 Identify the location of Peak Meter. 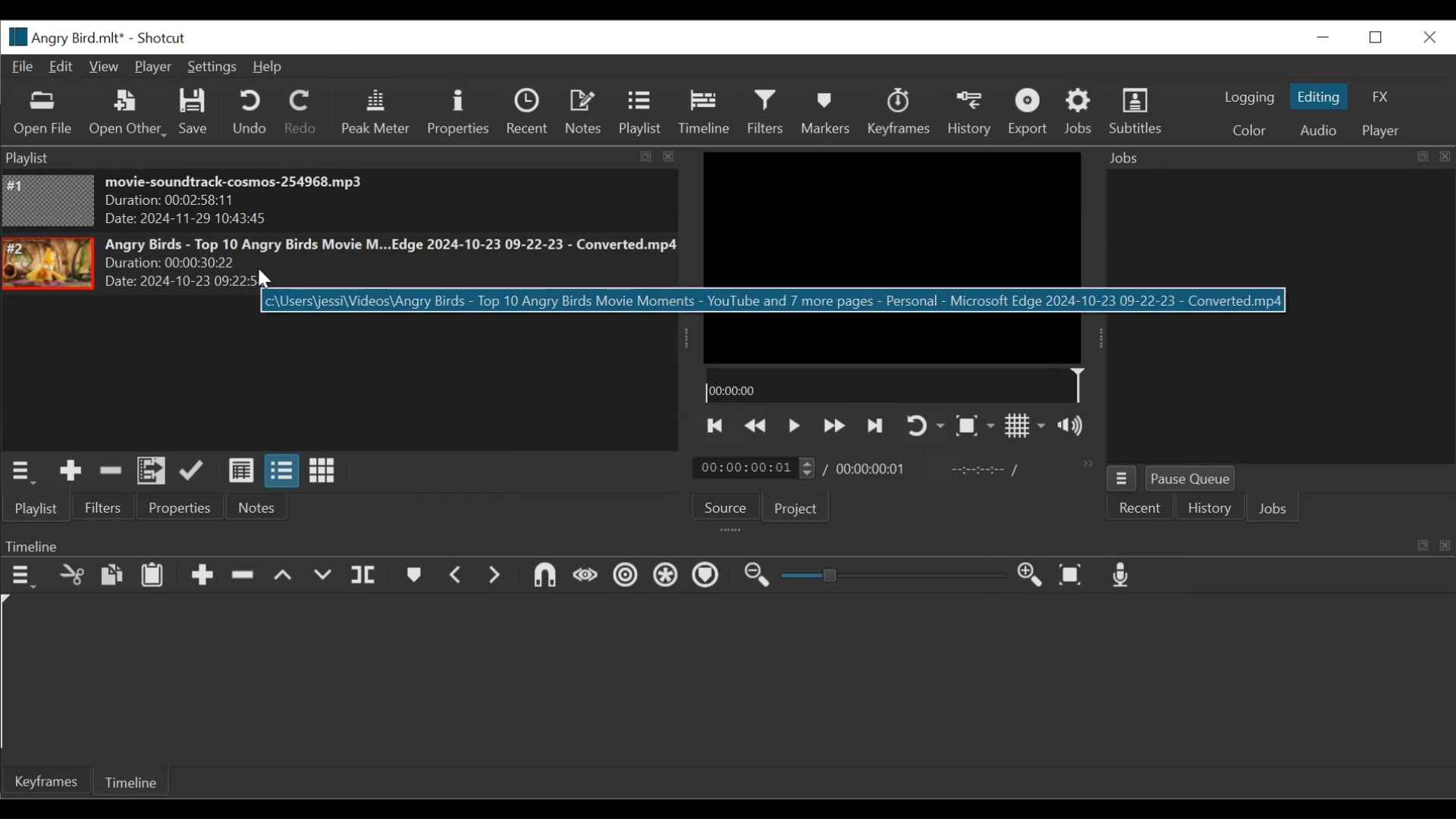
(375, 114).